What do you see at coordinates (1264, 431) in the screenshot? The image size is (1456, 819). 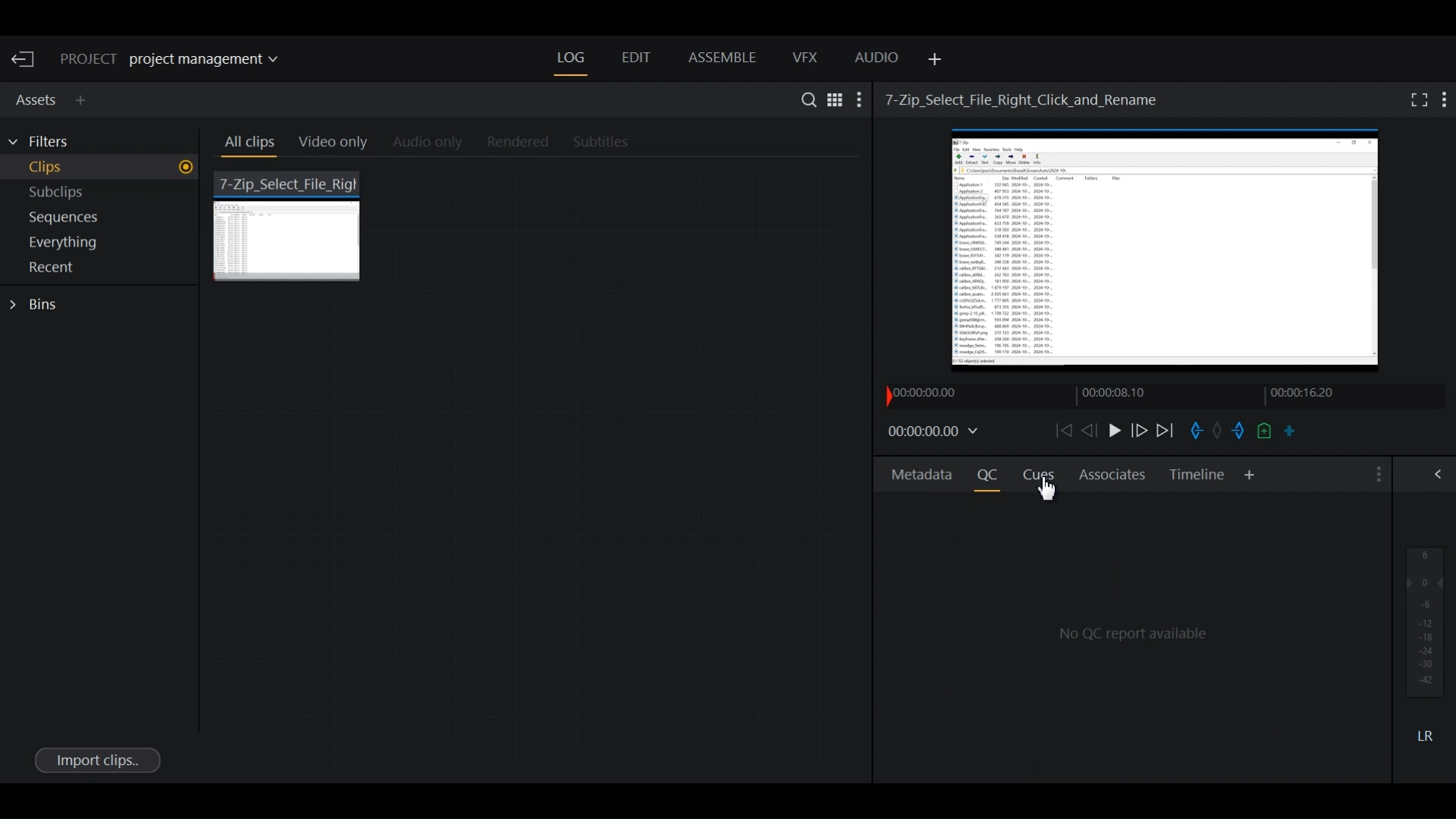 I see `Add a cue` at bounding box center [1264, 431].